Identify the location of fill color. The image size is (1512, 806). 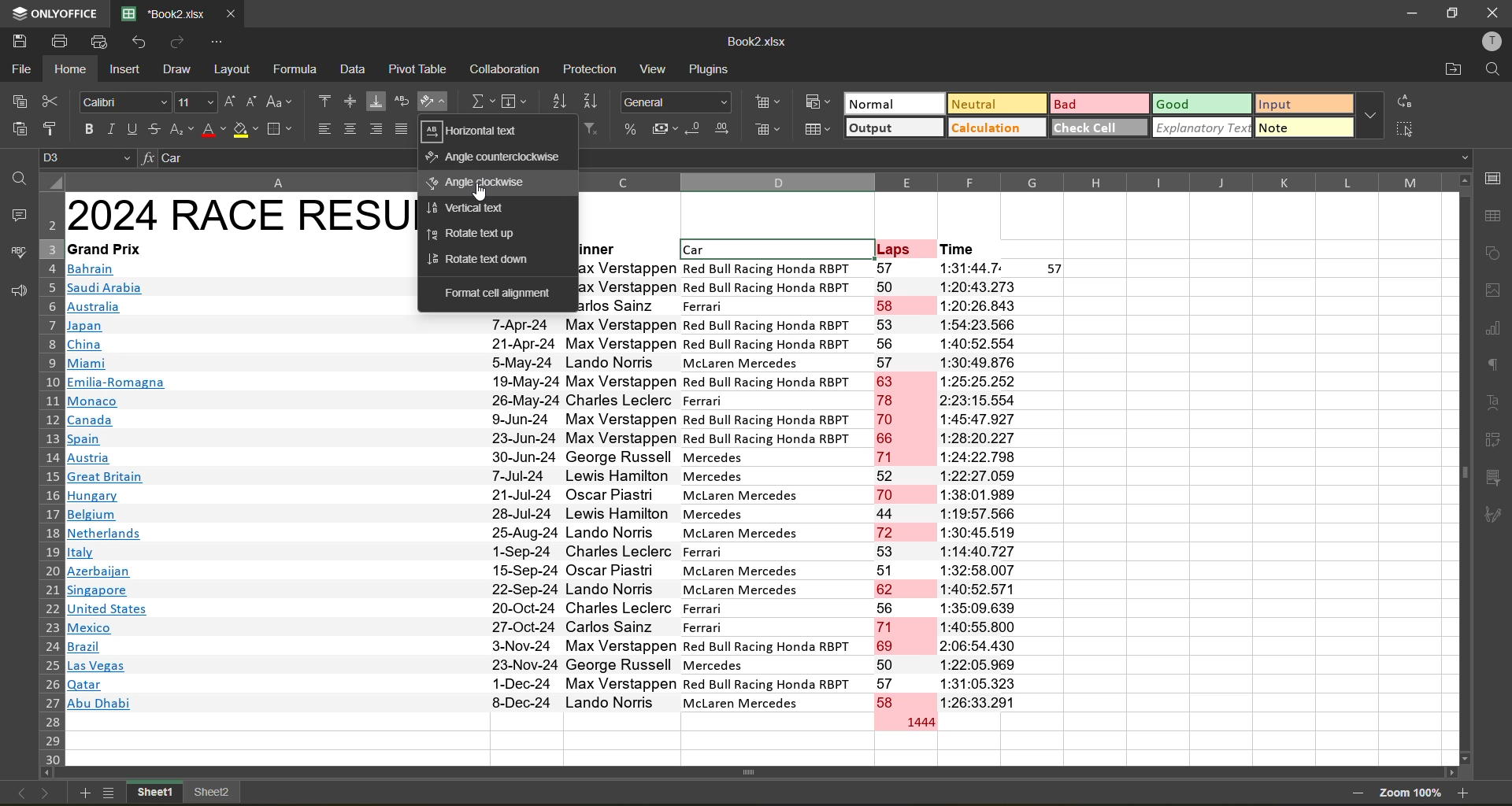
(246, 129).